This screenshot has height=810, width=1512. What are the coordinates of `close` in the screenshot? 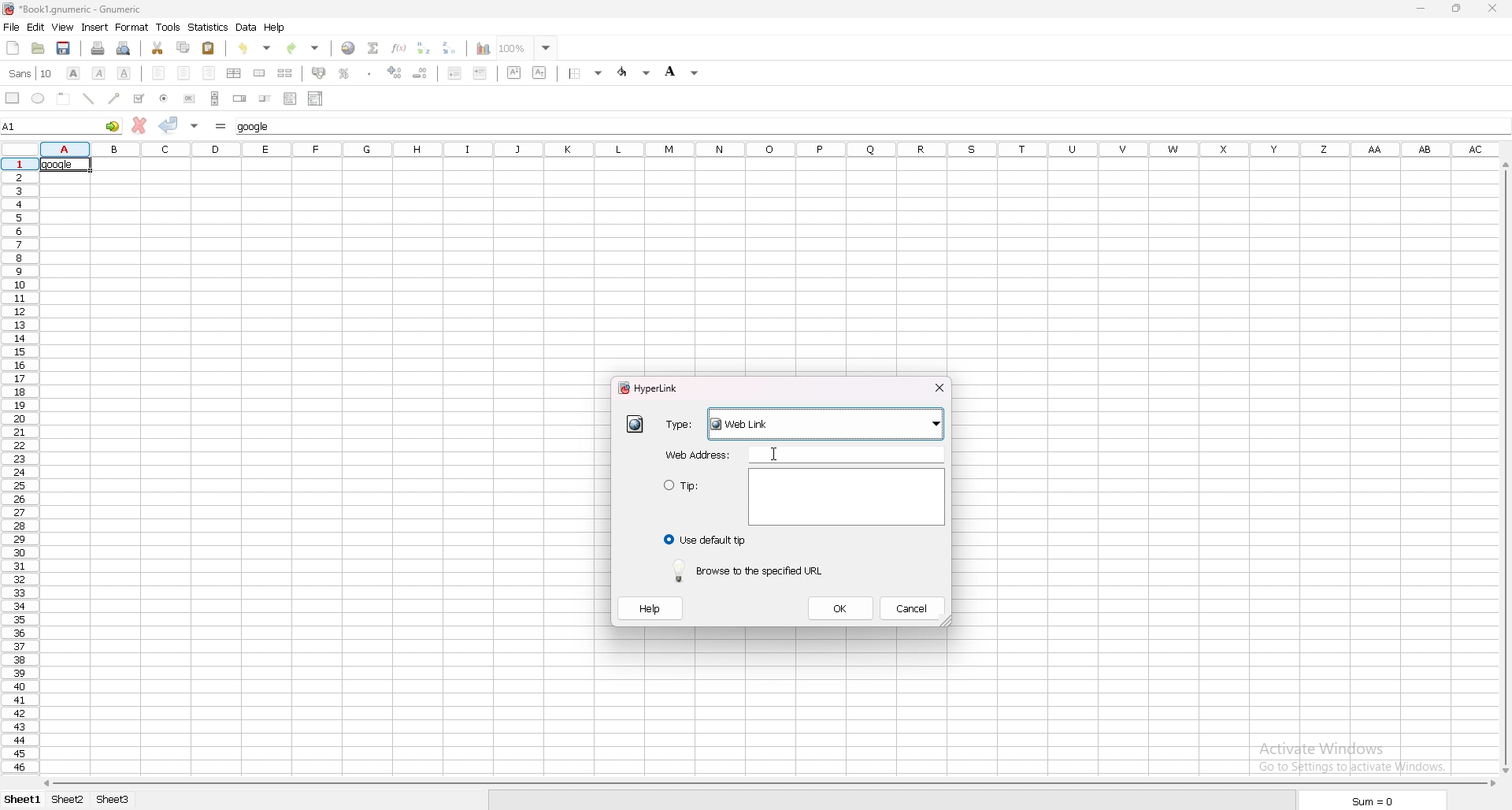 It's located at (1493, 9).